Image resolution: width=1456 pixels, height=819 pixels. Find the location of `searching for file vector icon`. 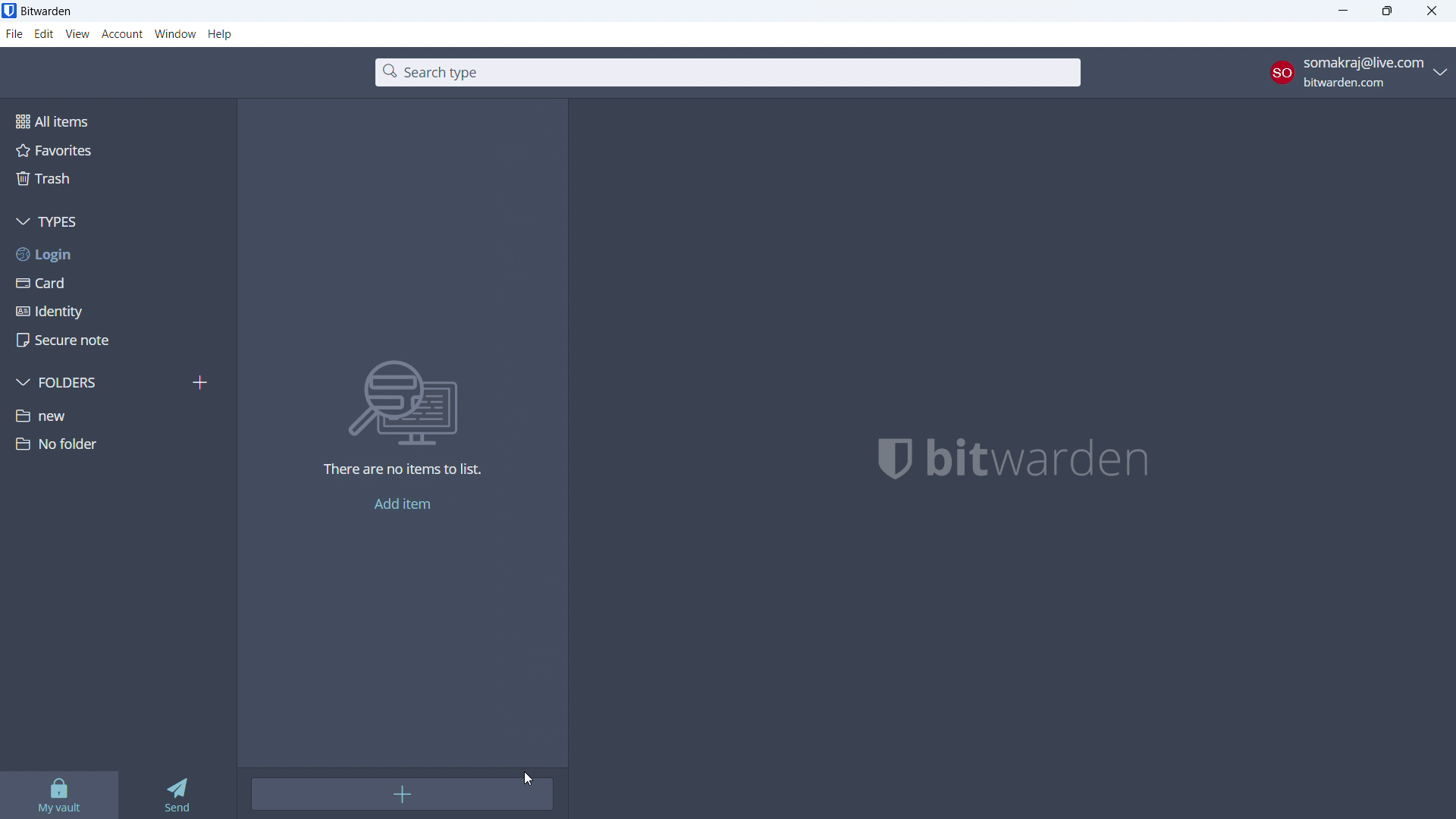

searching for file vector icon is located at coordinates (419, 402).